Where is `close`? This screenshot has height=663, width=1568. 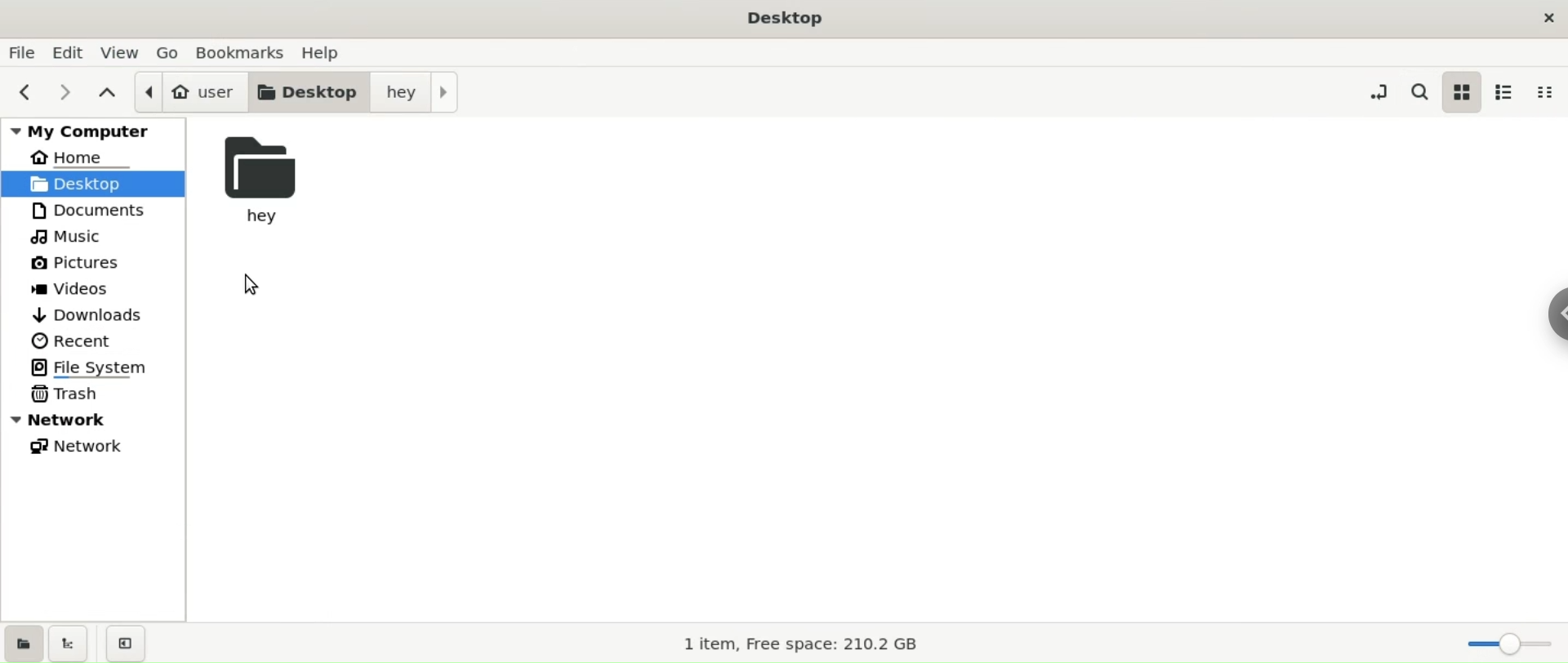 close is located at coordinates (1545, 16).